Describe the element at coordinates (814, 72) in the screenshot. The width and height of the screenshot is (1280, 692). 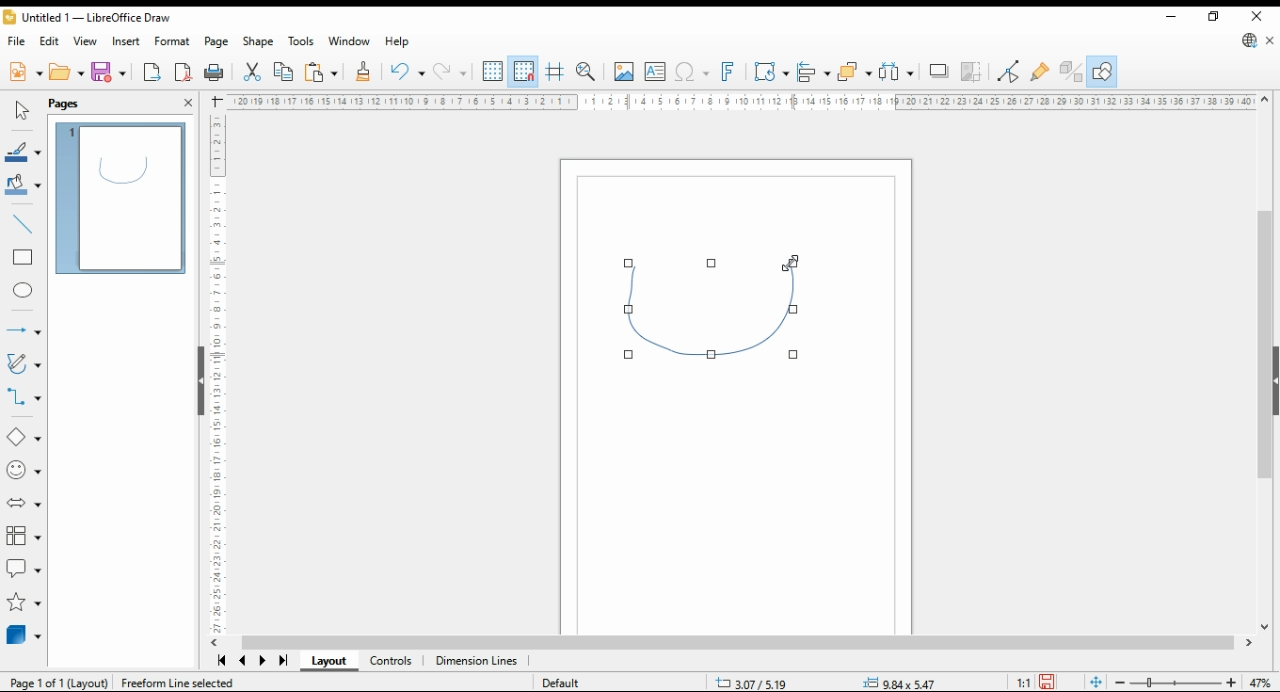
I see `align objects` at that location.